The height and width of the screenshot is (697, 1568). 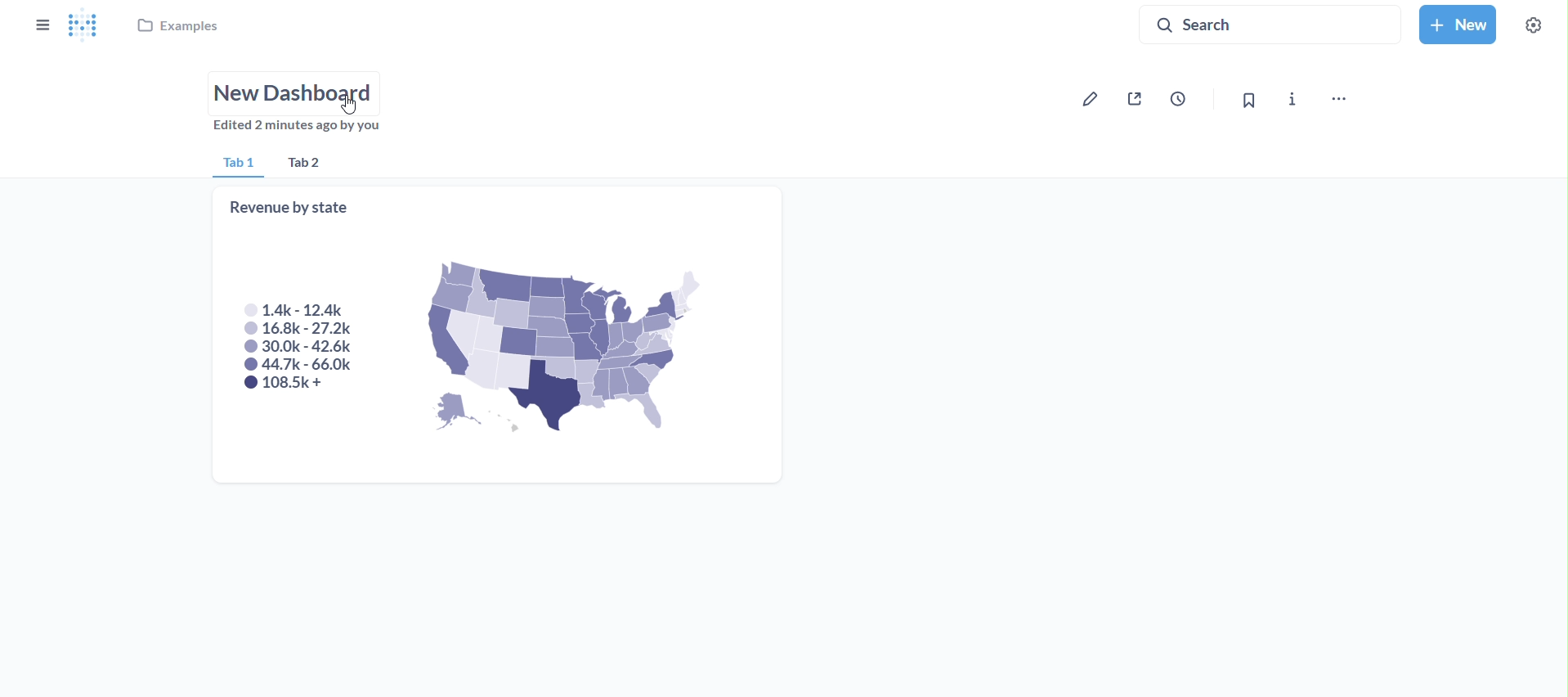 What do you see at coordinates (181, 29) in the screenshot?
I see `examples` at bounding box center [181, 29].